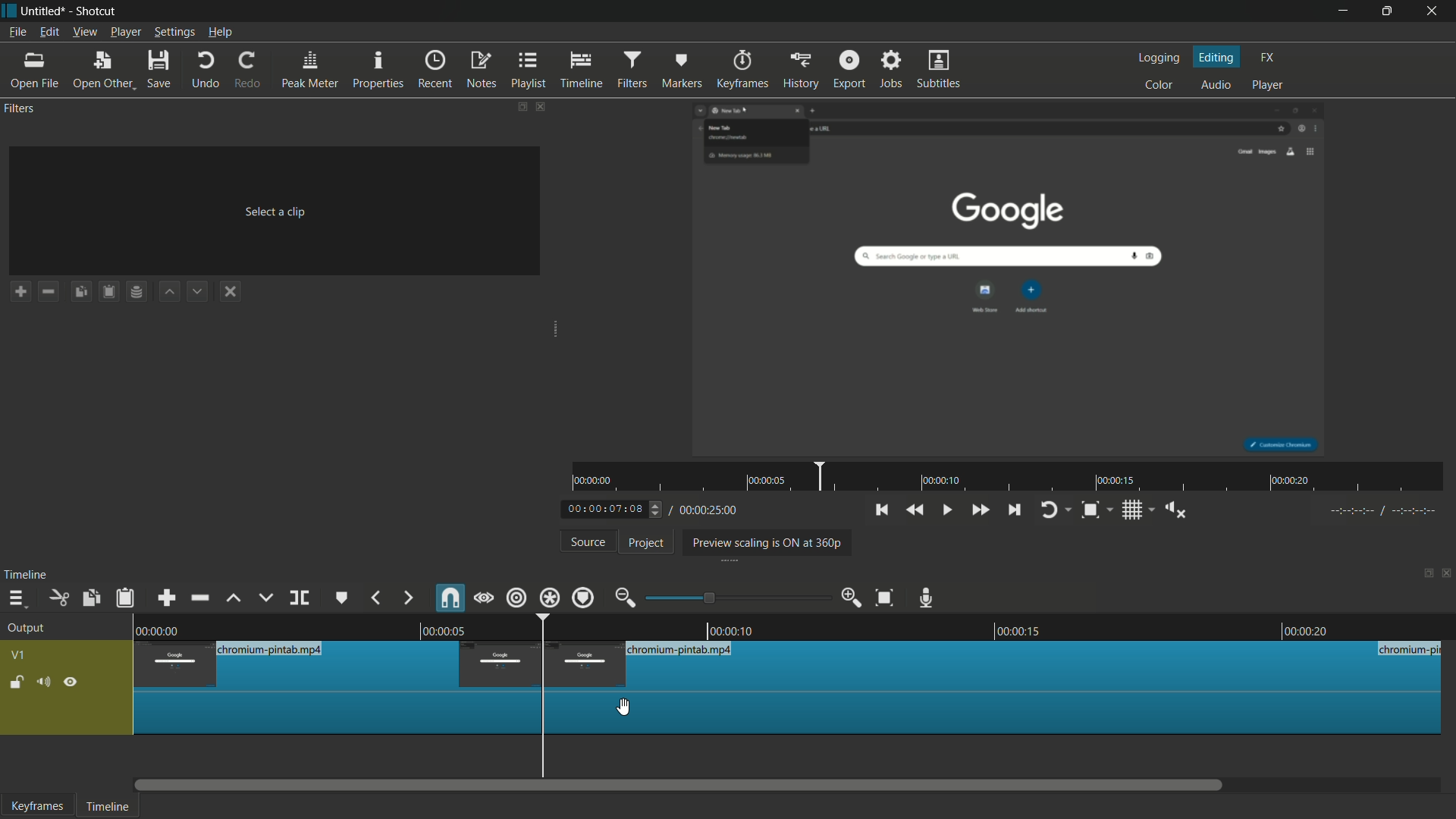 The width and height of the screenshot is (1456, 819). What do you see at coordinates (1090, 511) in the screenshot?
I see `toggle zoom` at bounding box center [1090, 511].